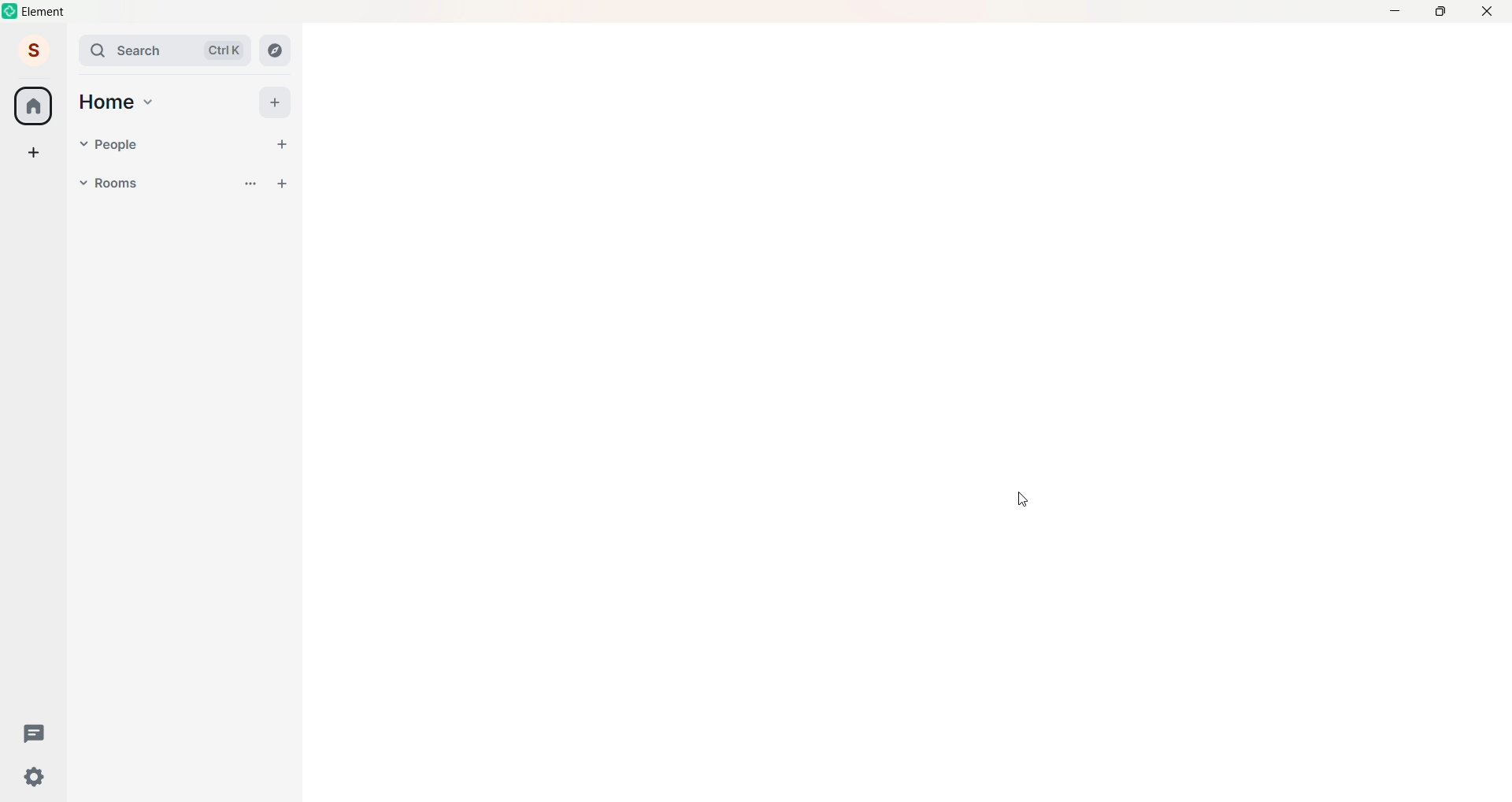  Describe the element at coordinates (34, 106) in the screenshot. I see `Home` at that location.